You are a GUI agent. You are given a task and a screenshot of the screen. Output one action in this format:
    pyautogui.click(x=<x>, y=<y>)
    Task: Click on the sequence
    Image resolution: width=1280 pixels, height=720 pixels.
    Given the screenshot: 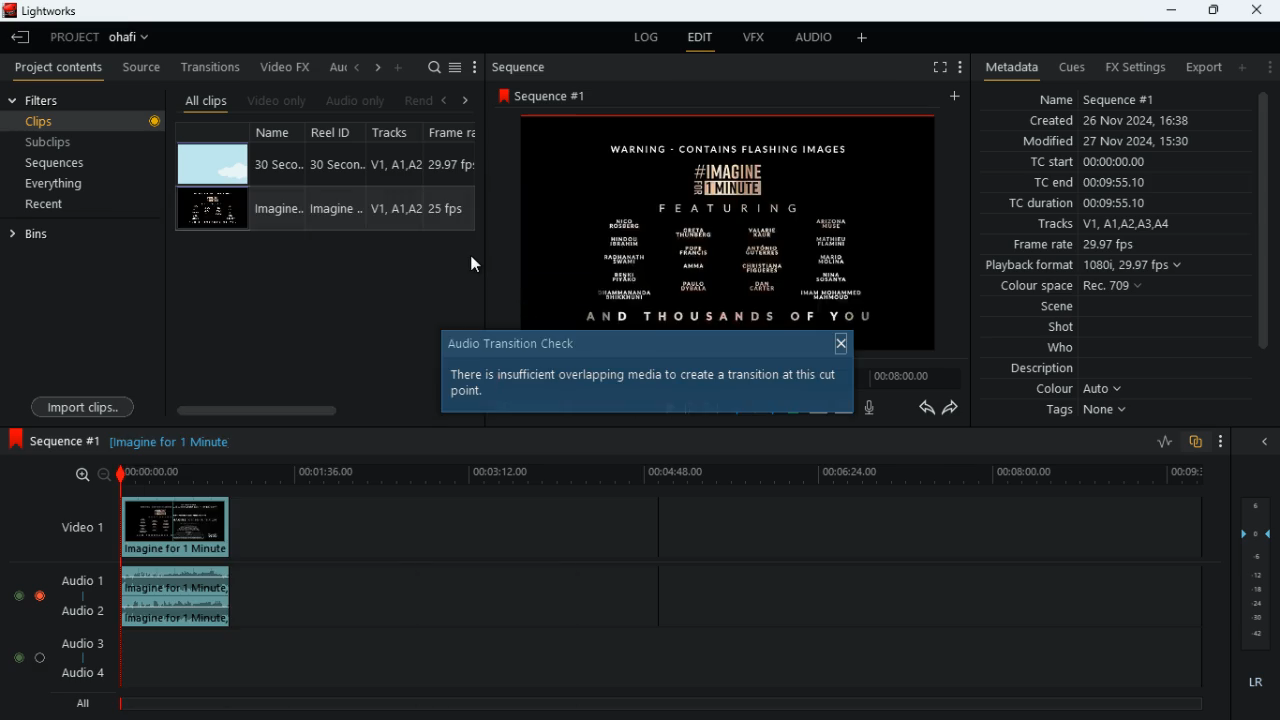 What is the action you would take?
    pyautogui.click(x=525, y=67)
    